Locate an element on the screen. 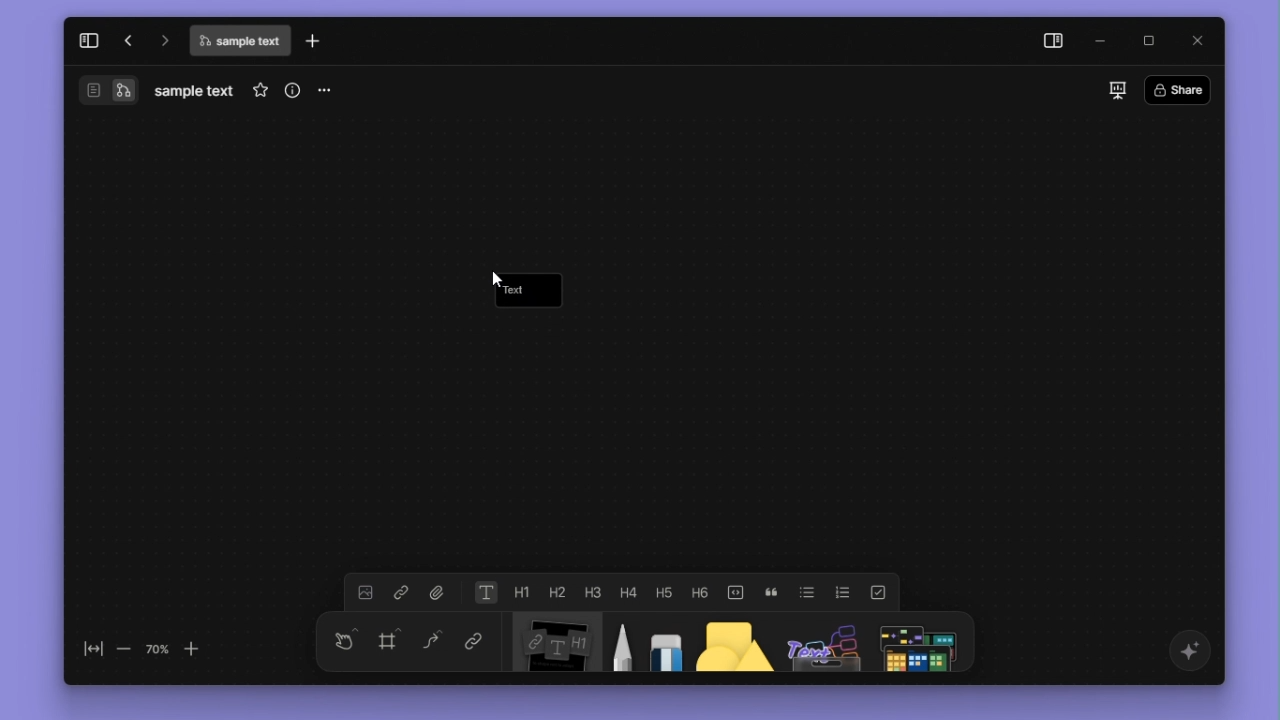 This screenshot has height=720, width=1280. heading 5 is located at coordinates (664, 591).